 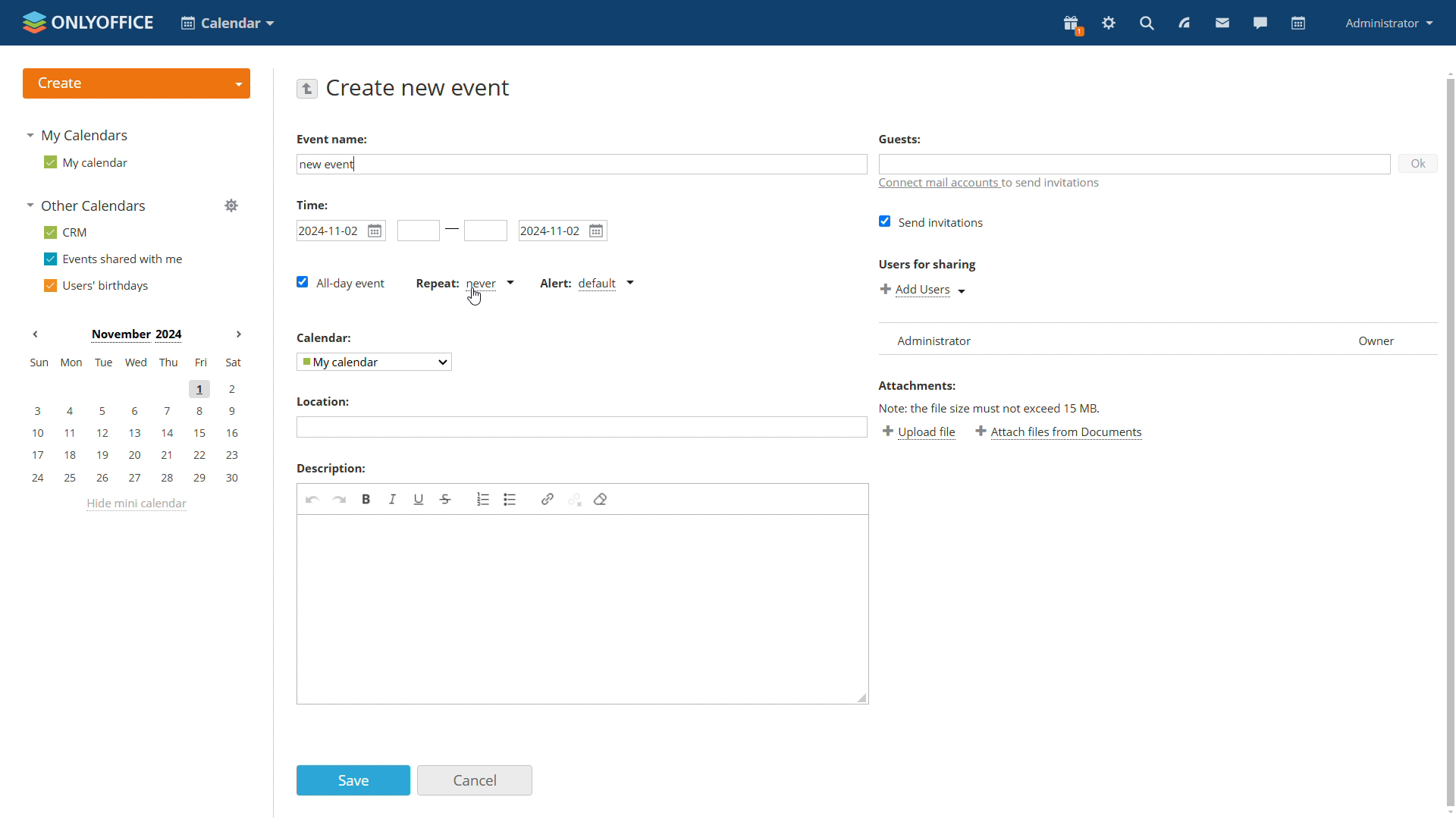 What do you see at coordinates (96, 284) in the screenshot?
I see `users' birthdays` at bounding box center [96, 284].